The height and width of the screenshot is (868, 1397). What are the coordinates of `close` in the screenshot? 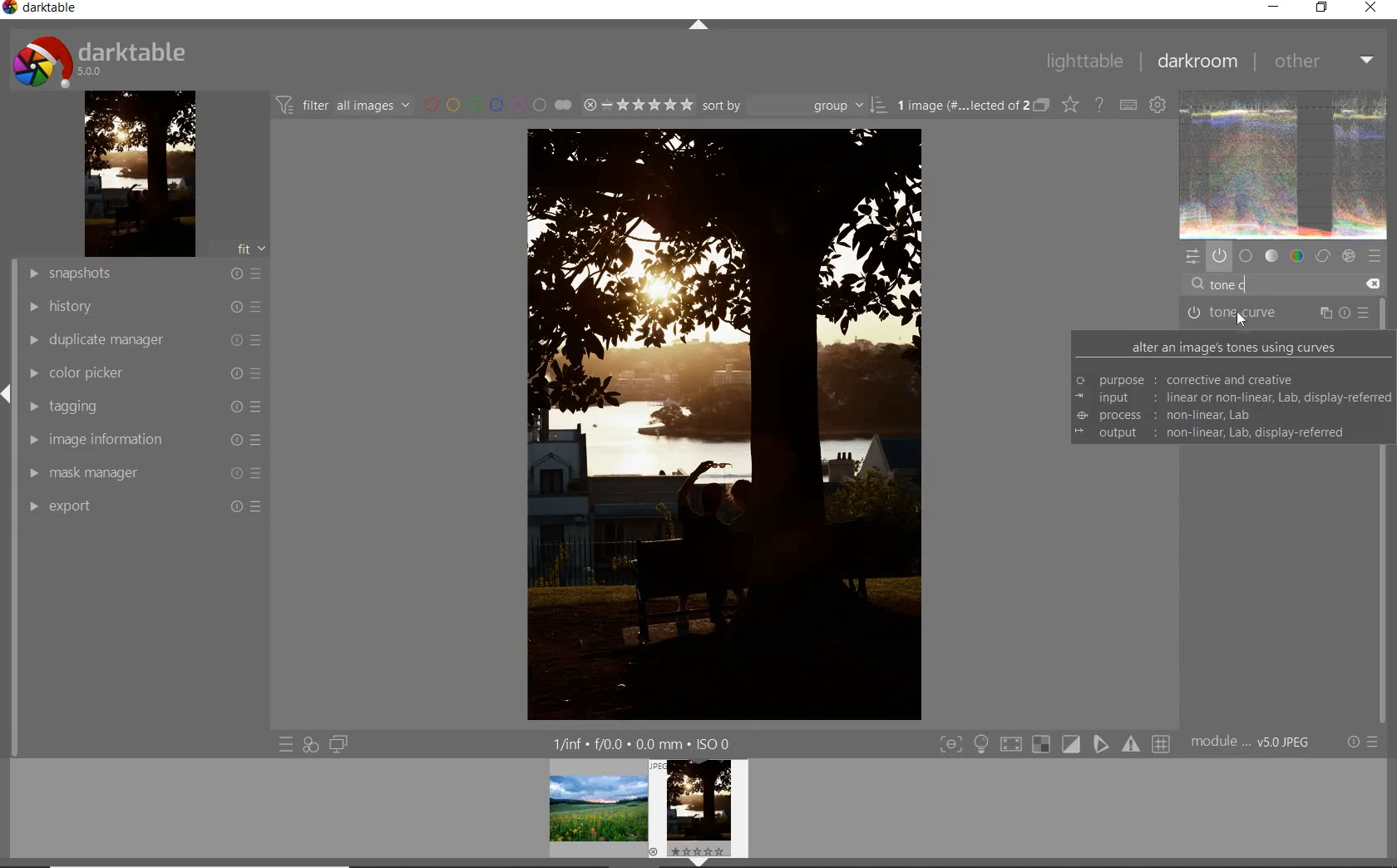 It's located at (1371, 8).